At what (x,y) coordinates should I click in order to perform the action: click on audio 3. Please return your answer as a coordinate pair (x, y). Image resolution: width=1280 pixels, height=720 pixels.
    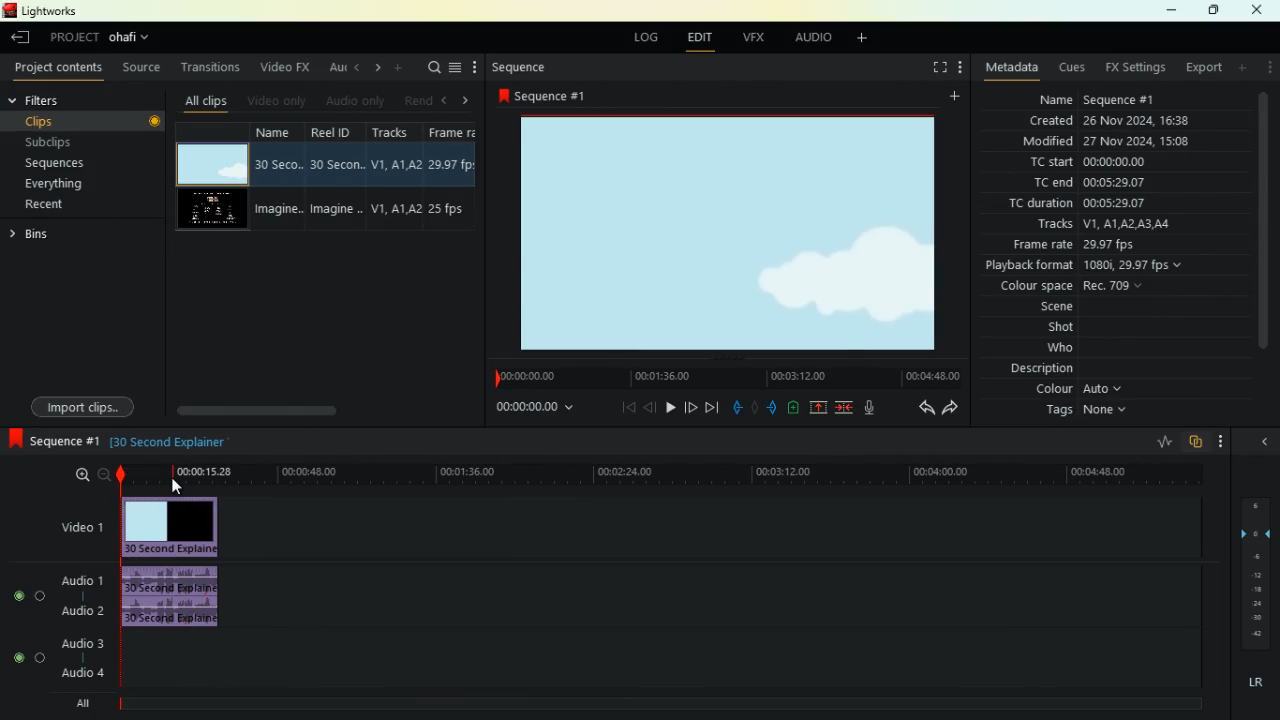
    Looking at the image, I should click on (74, 641).